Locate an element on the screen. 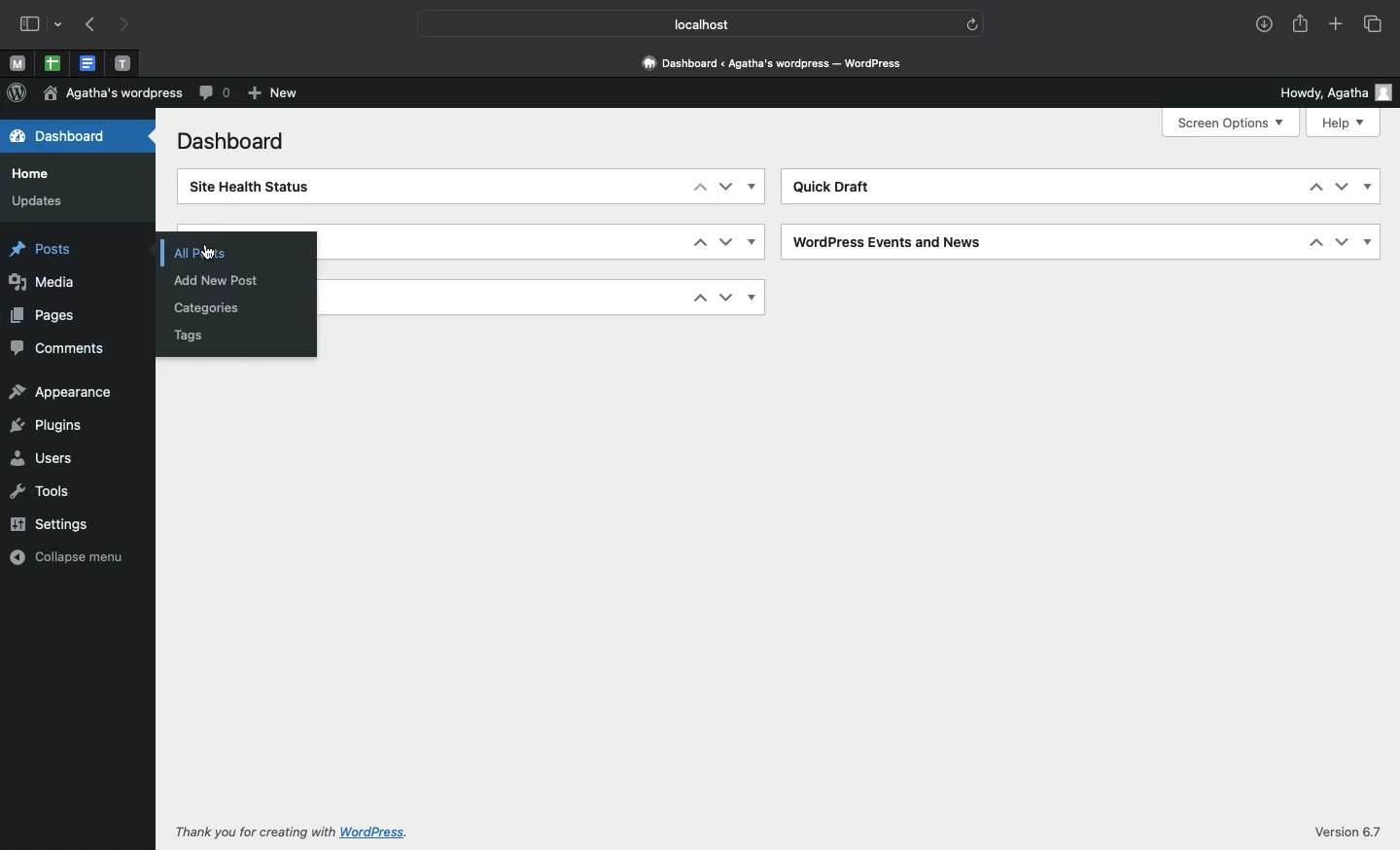 Image resolution: width=1400 pixels, height=850 pixels. Add new tab is located at coordinates (1335, 25).